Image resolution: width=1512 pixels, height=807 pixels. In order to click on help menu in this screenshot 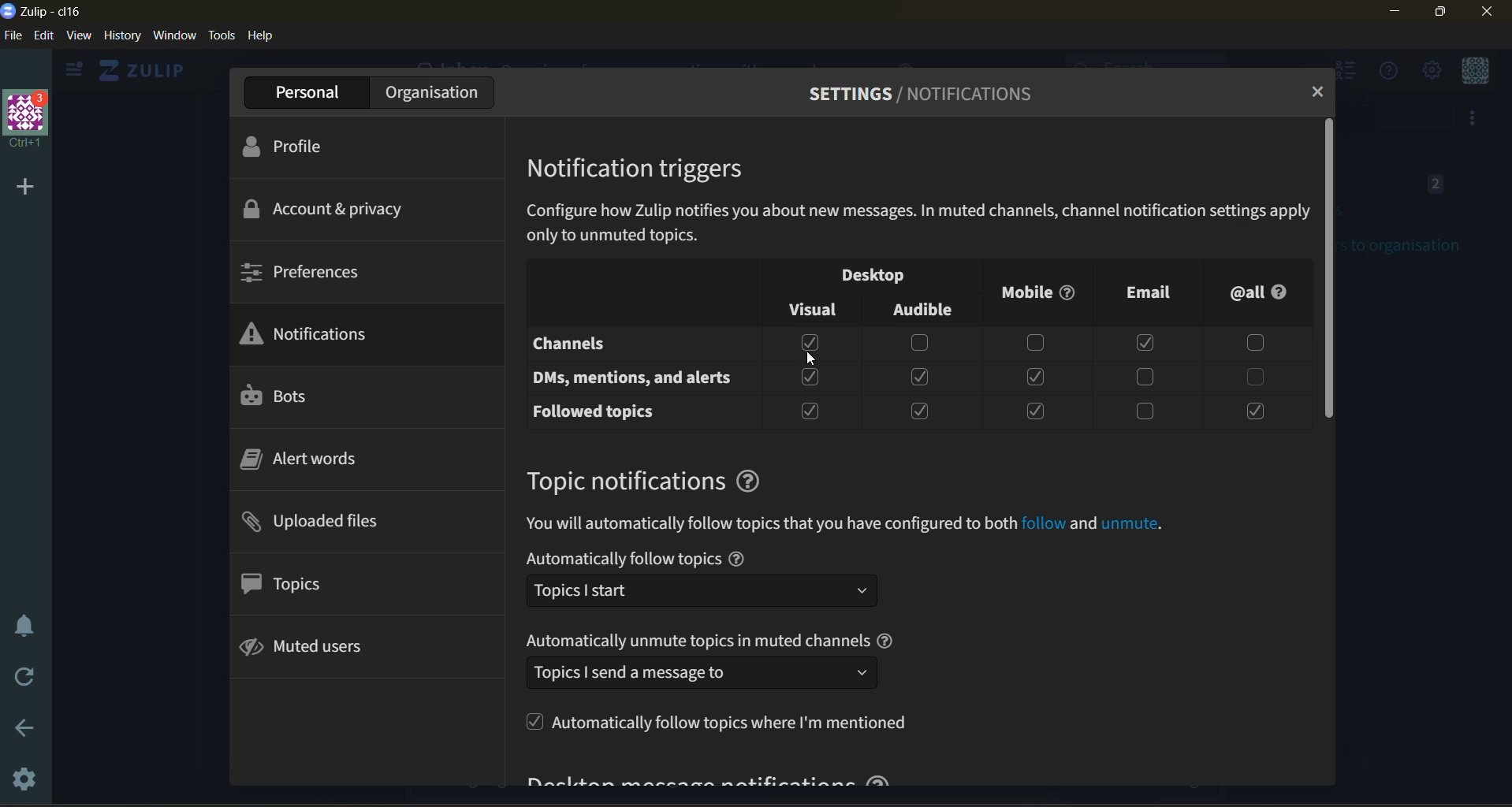, I will do `click(1389, 72)`.